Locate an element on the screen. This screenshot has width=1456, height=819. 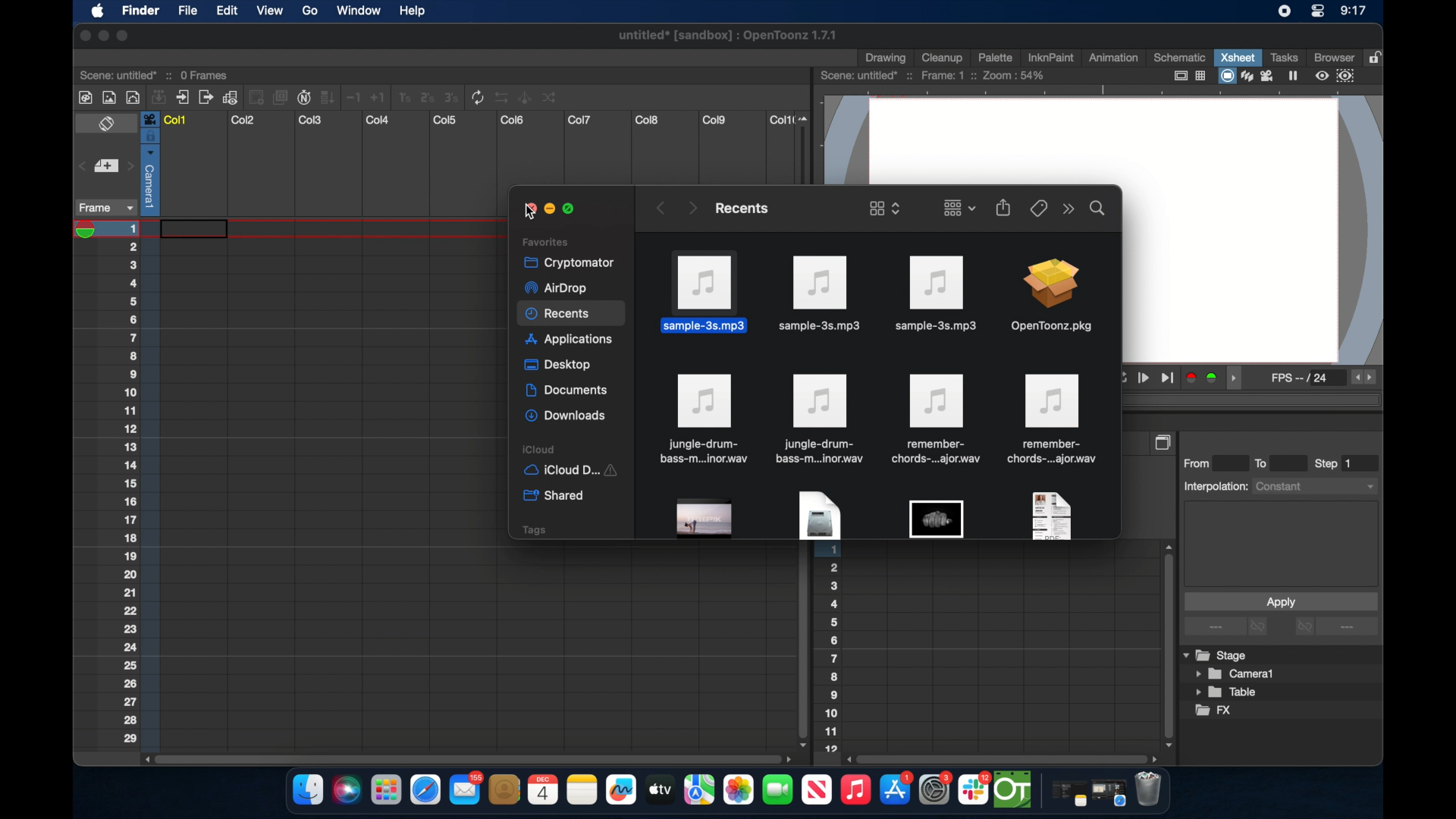
notes is located at coordinates (582, 790).